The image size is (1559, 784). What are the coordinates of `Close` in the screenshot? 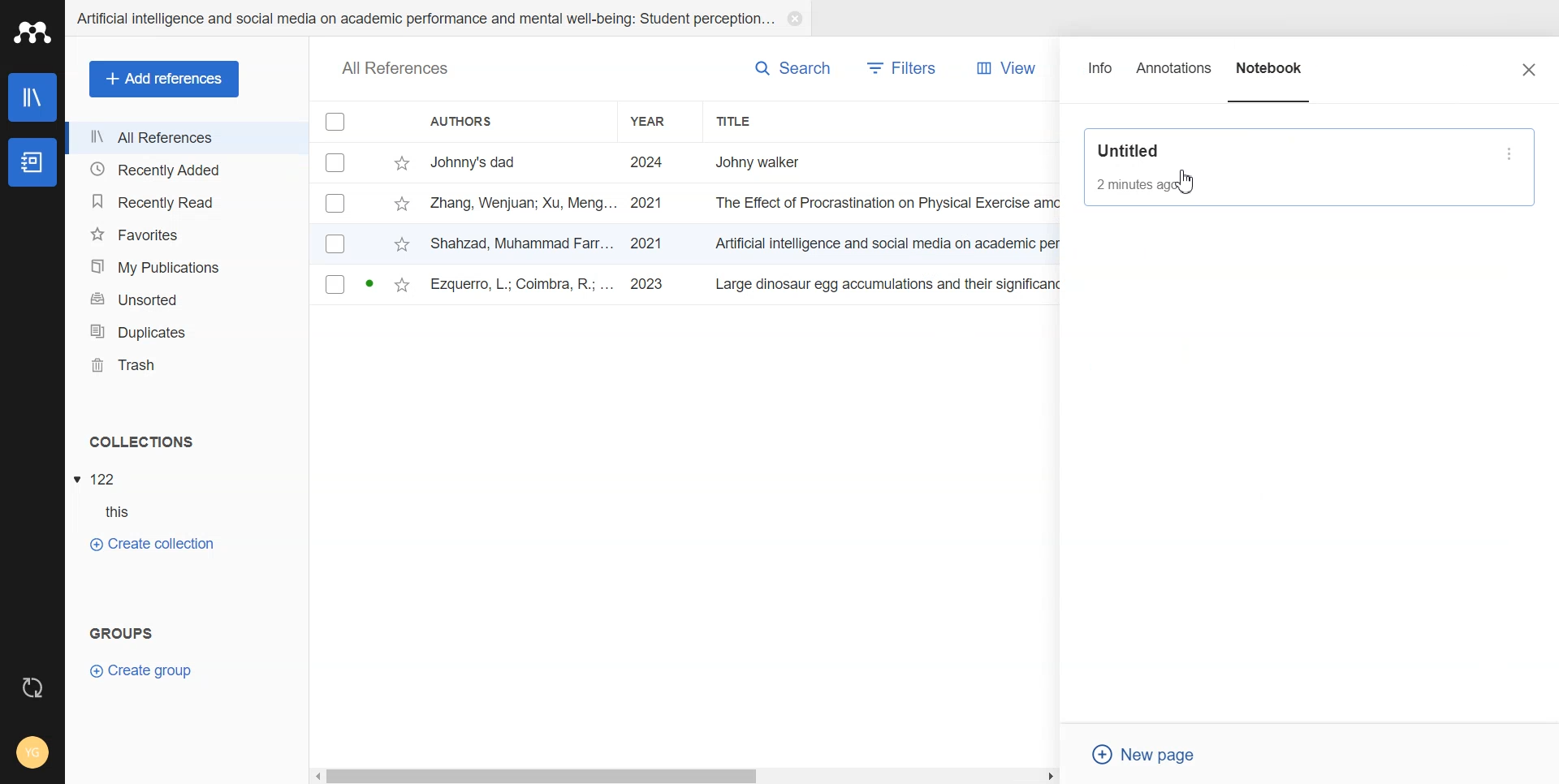 It's located at (1529, 69).